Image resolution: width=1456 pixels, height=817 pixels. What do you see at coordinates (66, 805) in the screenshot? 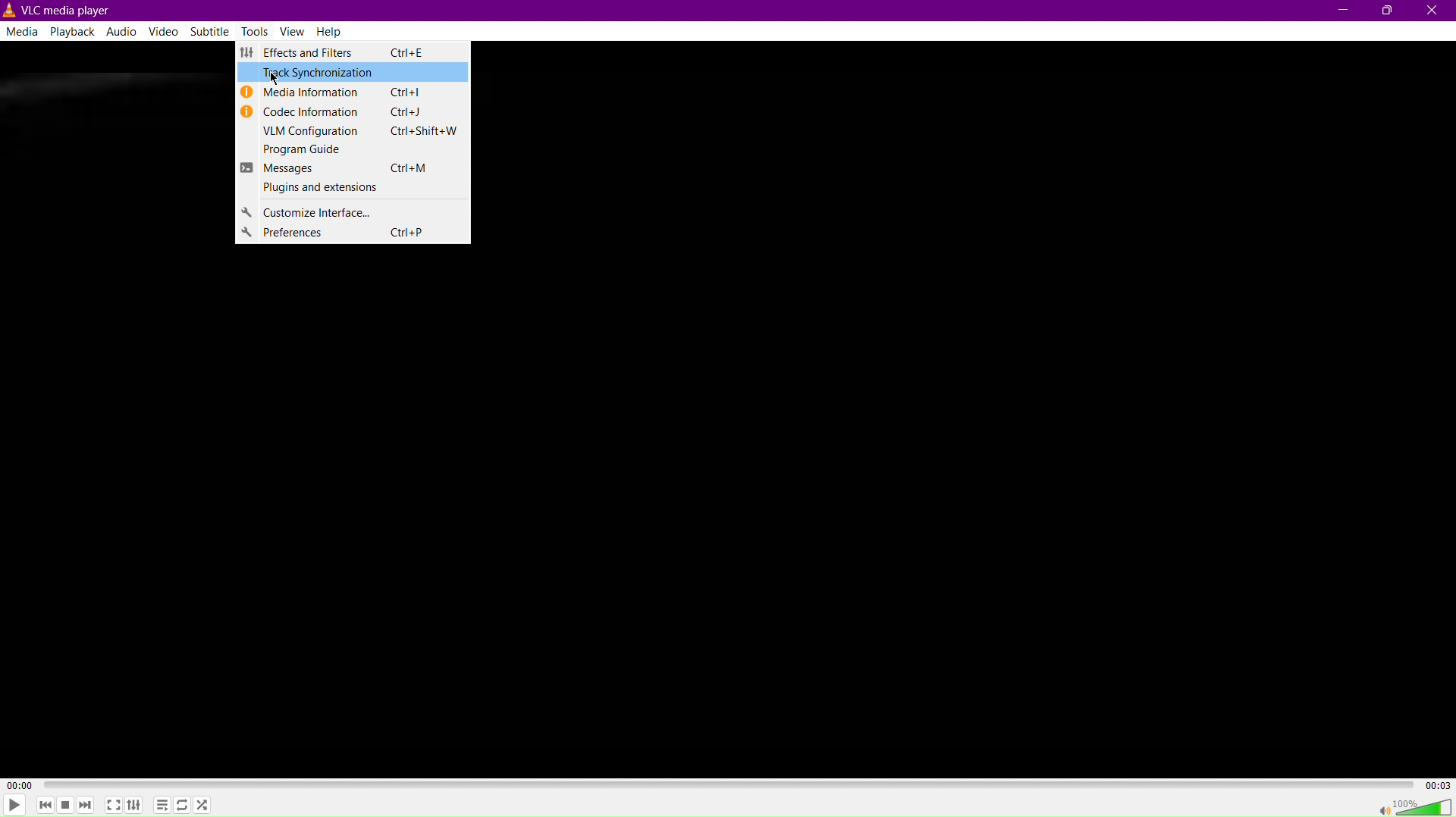
I see `Stop` at bounding box center [66, 805].